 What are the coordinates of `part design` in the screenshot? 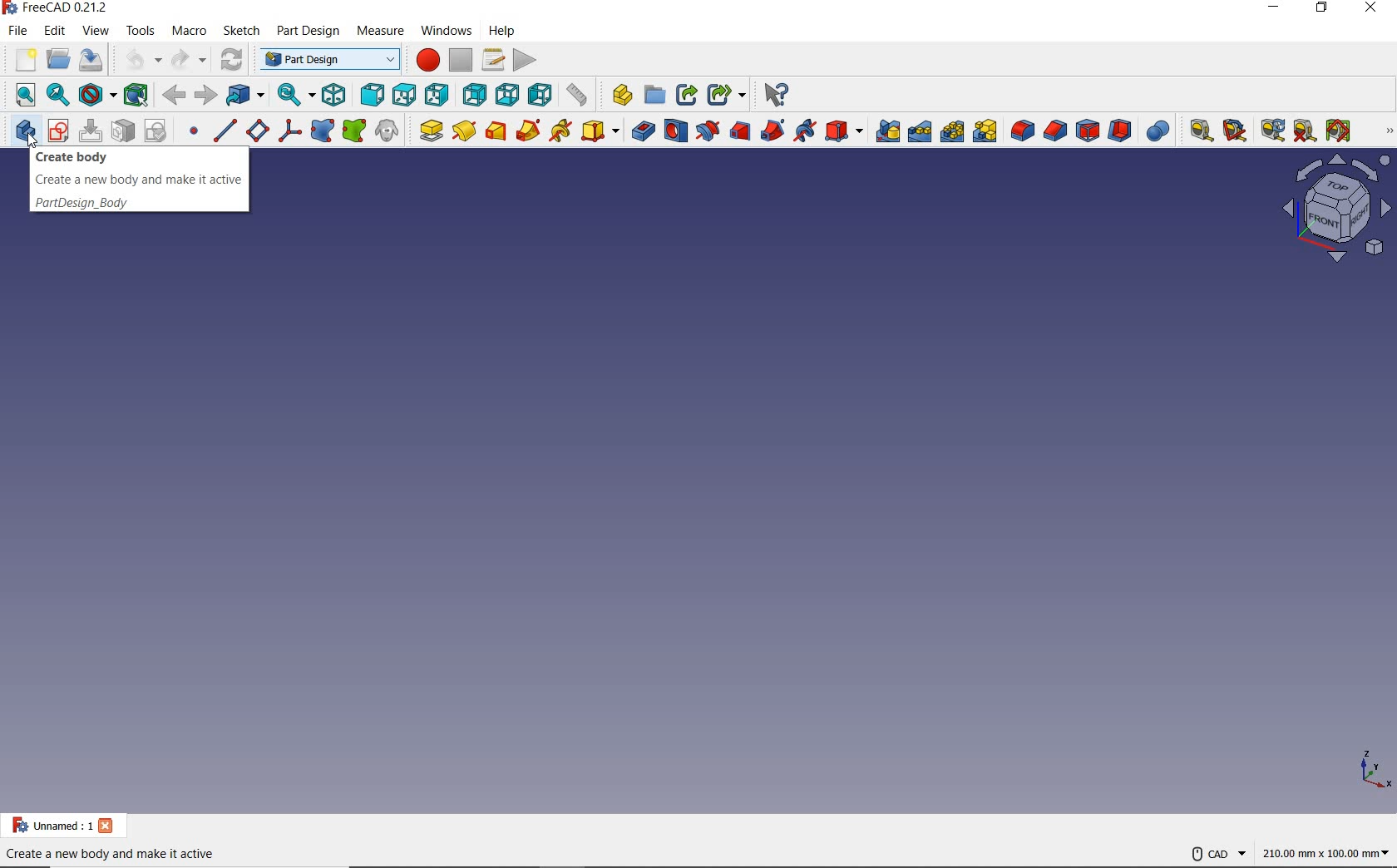 It's located at (325, 59).